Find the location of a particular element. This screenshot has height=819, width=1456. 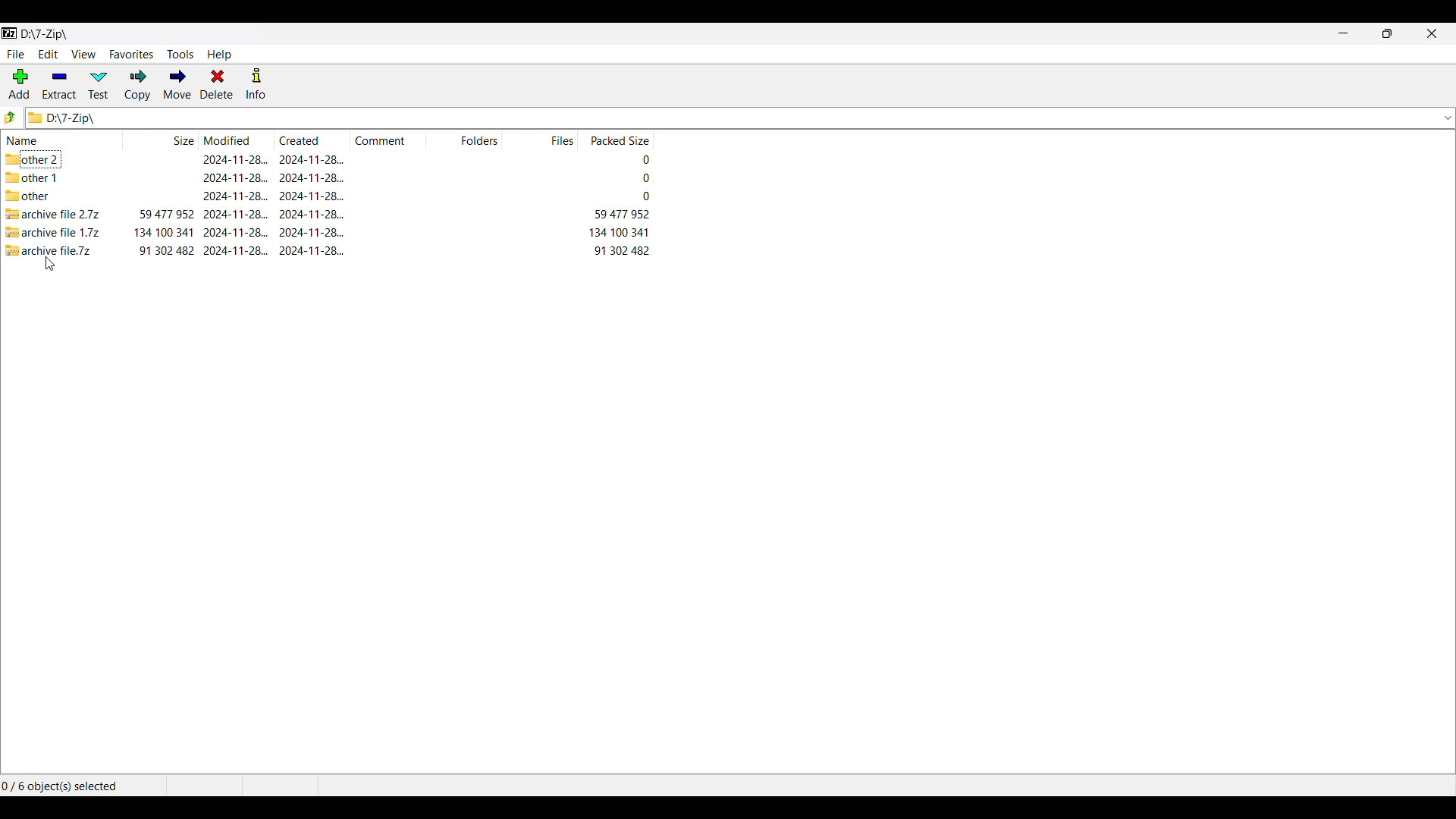

View menu is located at coordinates (84, 55).